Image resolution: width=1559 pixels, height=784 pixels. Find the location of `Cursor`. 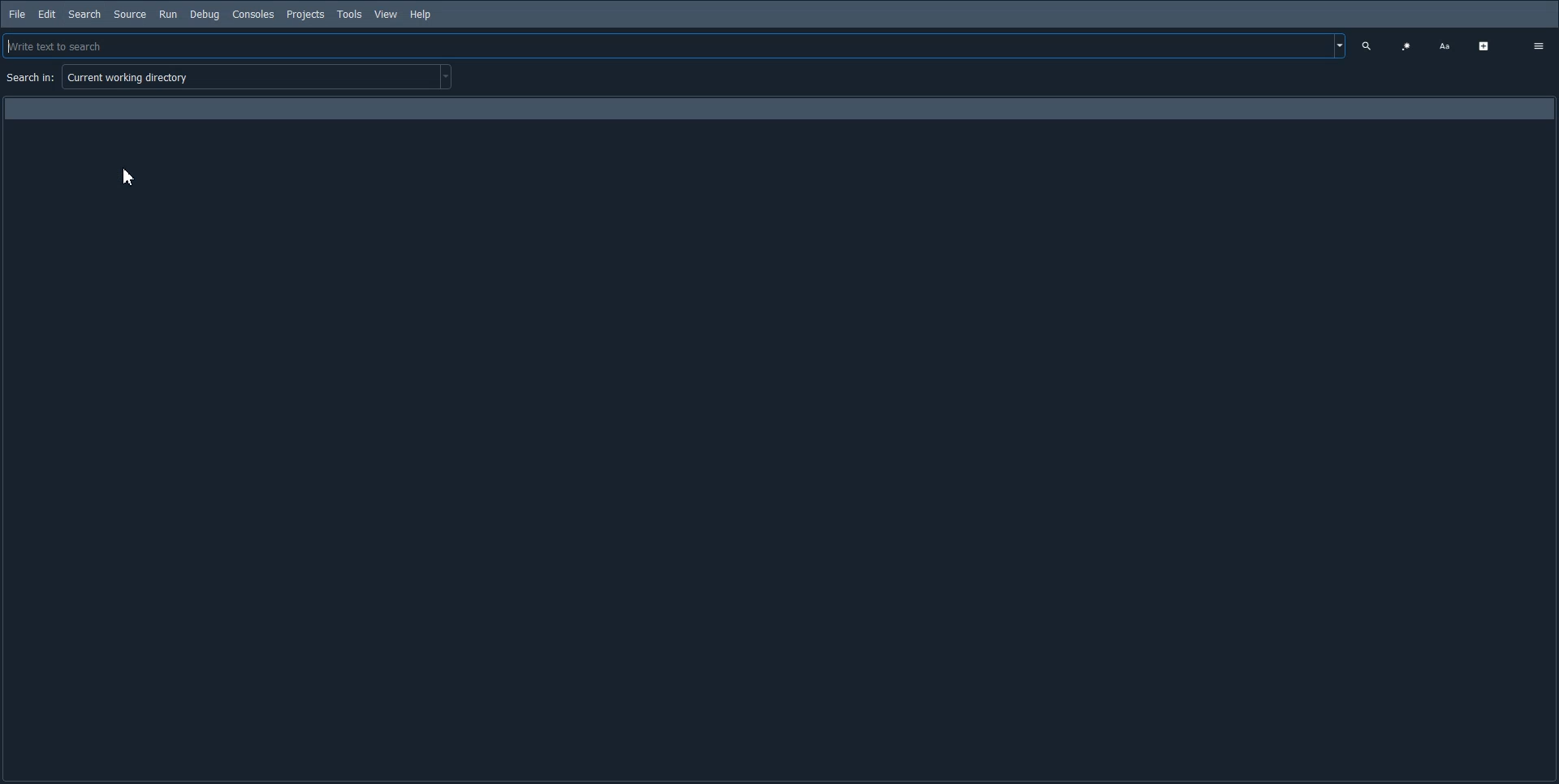

Cursor is located at coordinates (131, 175).